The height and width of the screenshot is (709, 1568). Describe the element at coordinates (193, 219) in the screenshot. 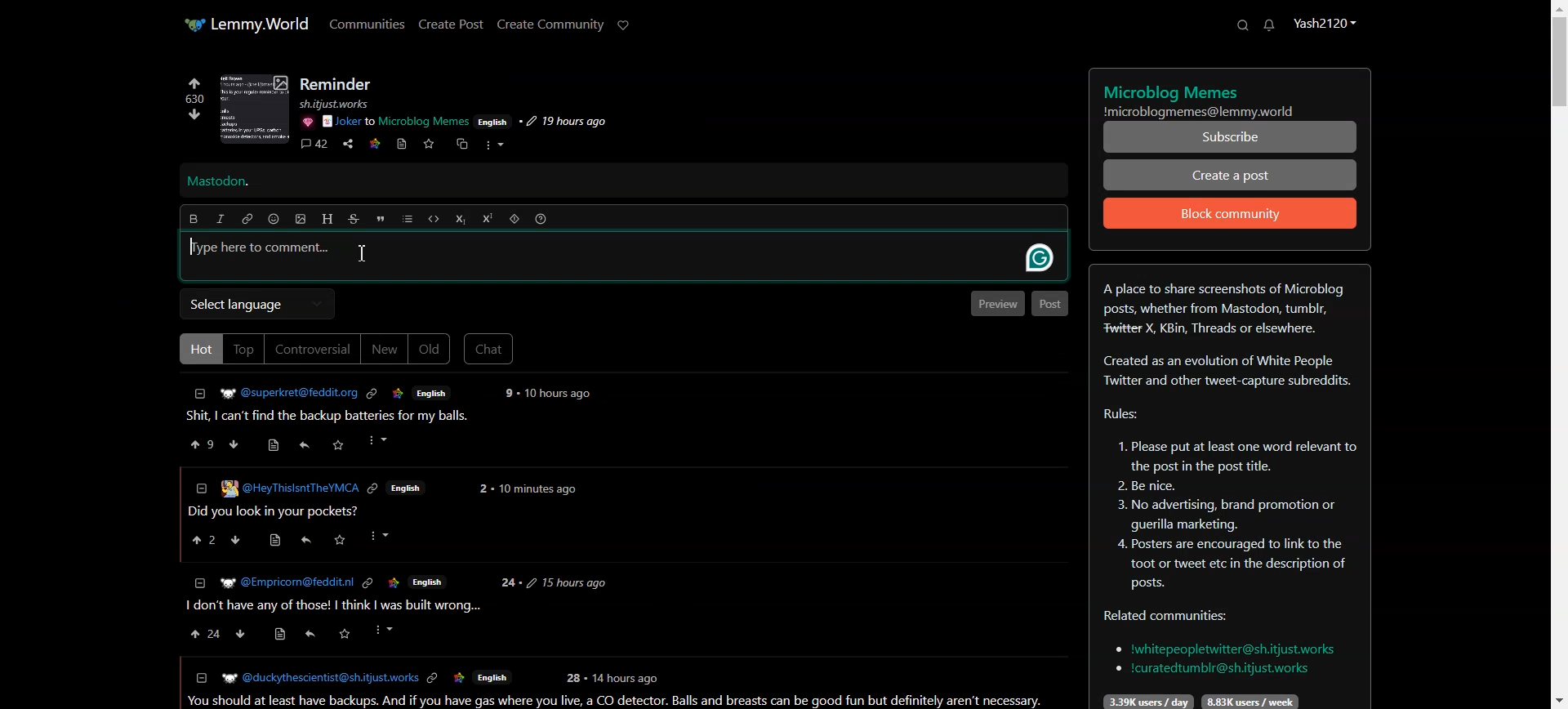

I see `Bold` at that location.